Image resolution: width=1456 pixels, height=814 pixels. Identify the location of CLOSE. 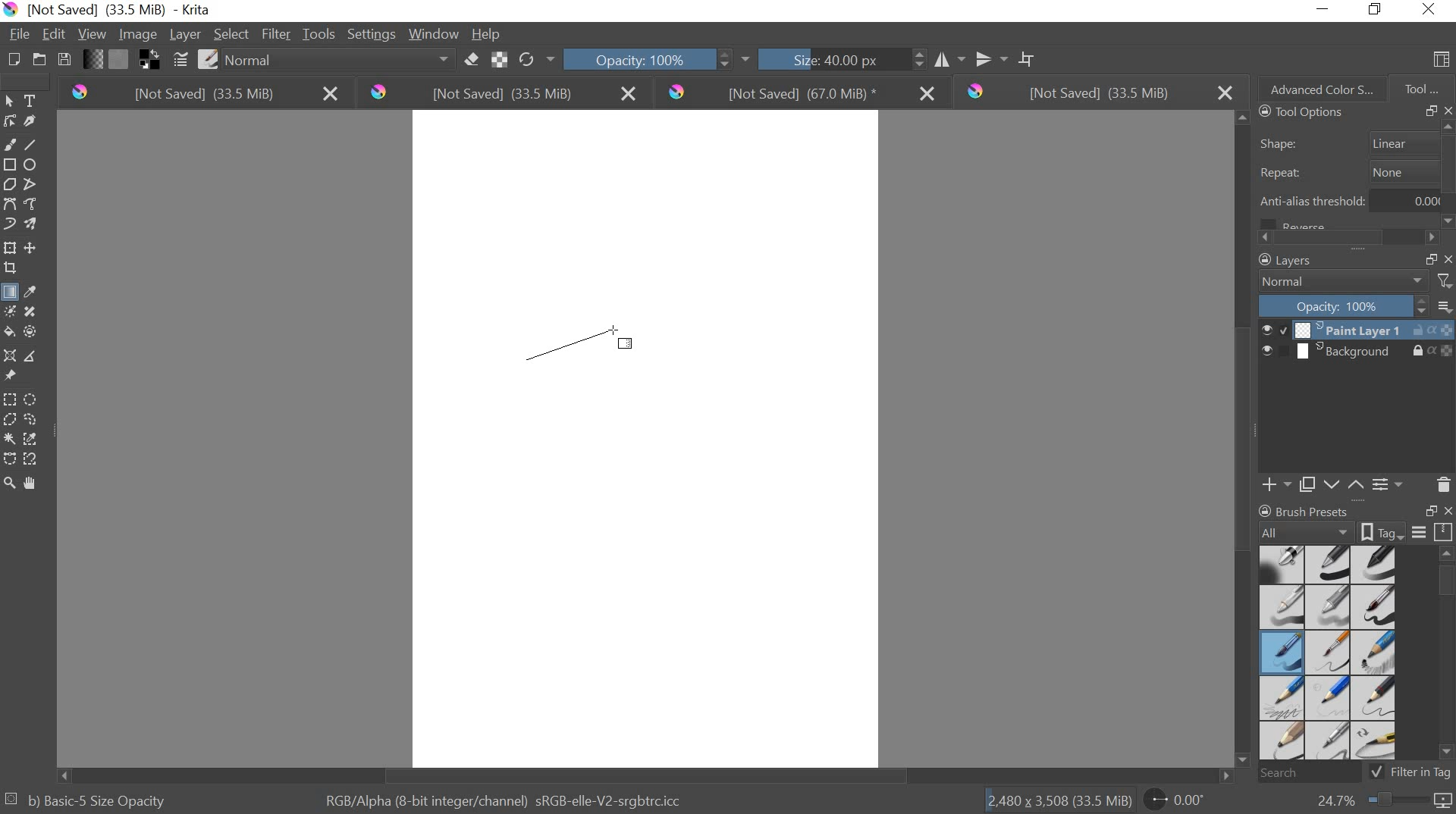
(1447, 258).